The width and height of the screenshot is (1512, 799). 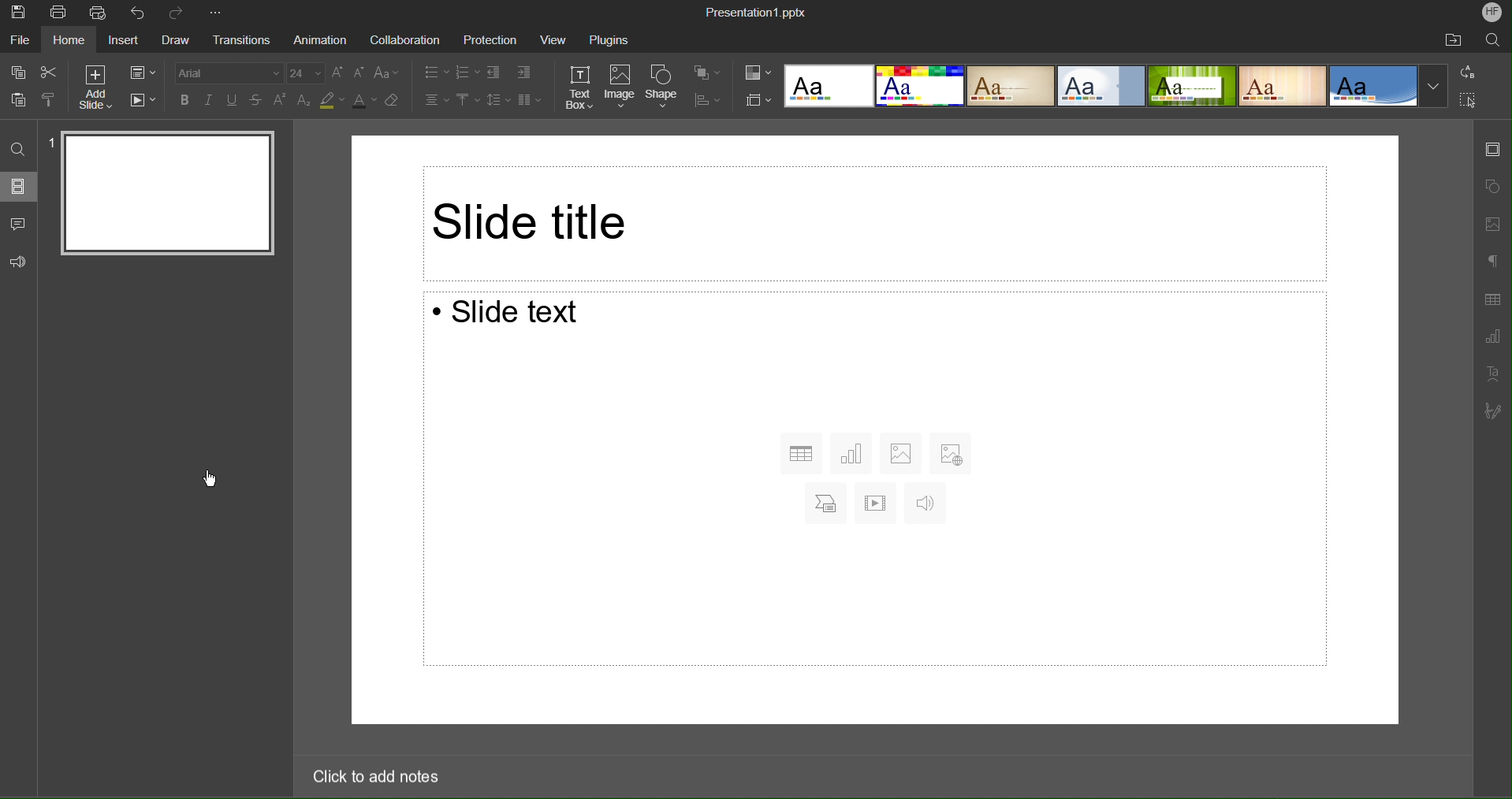 I want to click on Shape, so click(x=661, y=87).